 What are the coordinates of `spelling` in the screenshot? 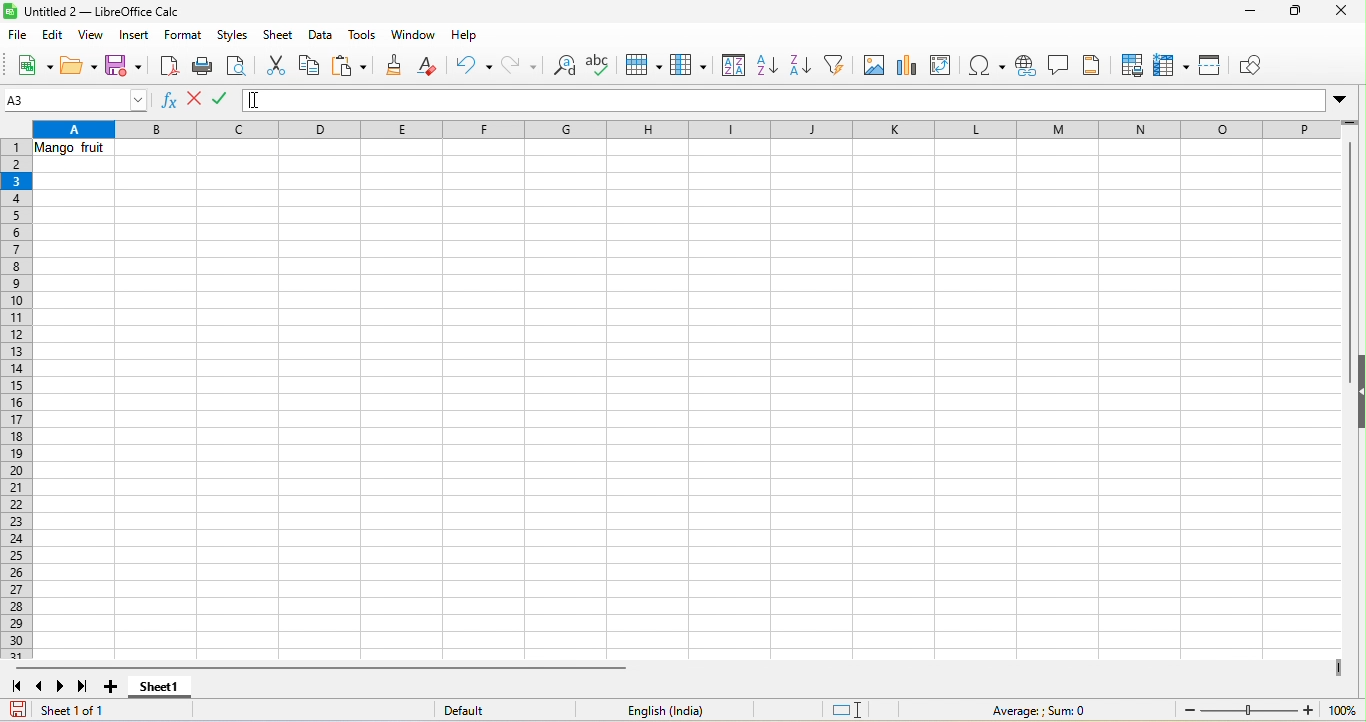 It's located at (602, 64).